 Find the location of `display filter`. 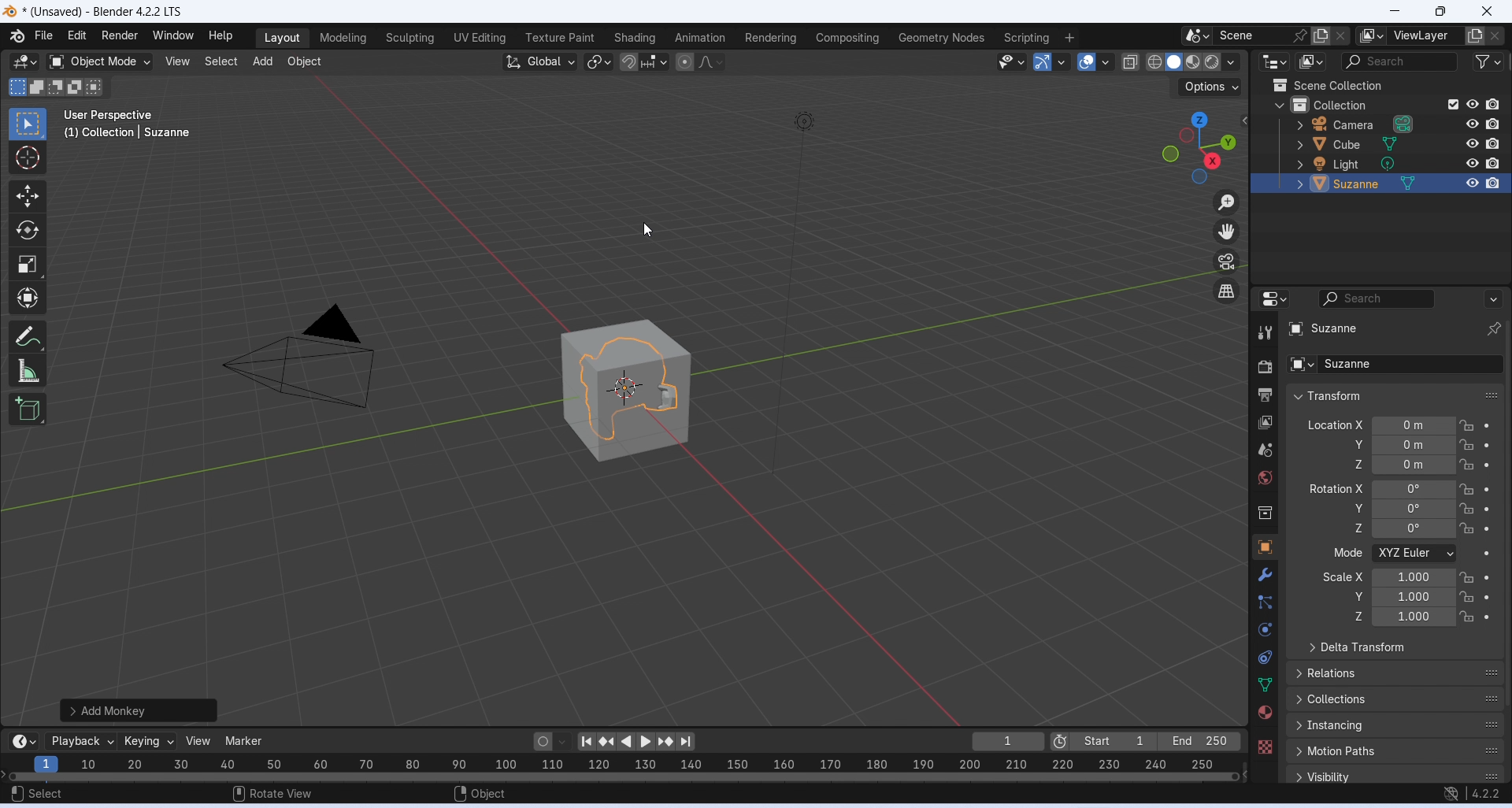

display filter is located at coordinates (1377, 298).